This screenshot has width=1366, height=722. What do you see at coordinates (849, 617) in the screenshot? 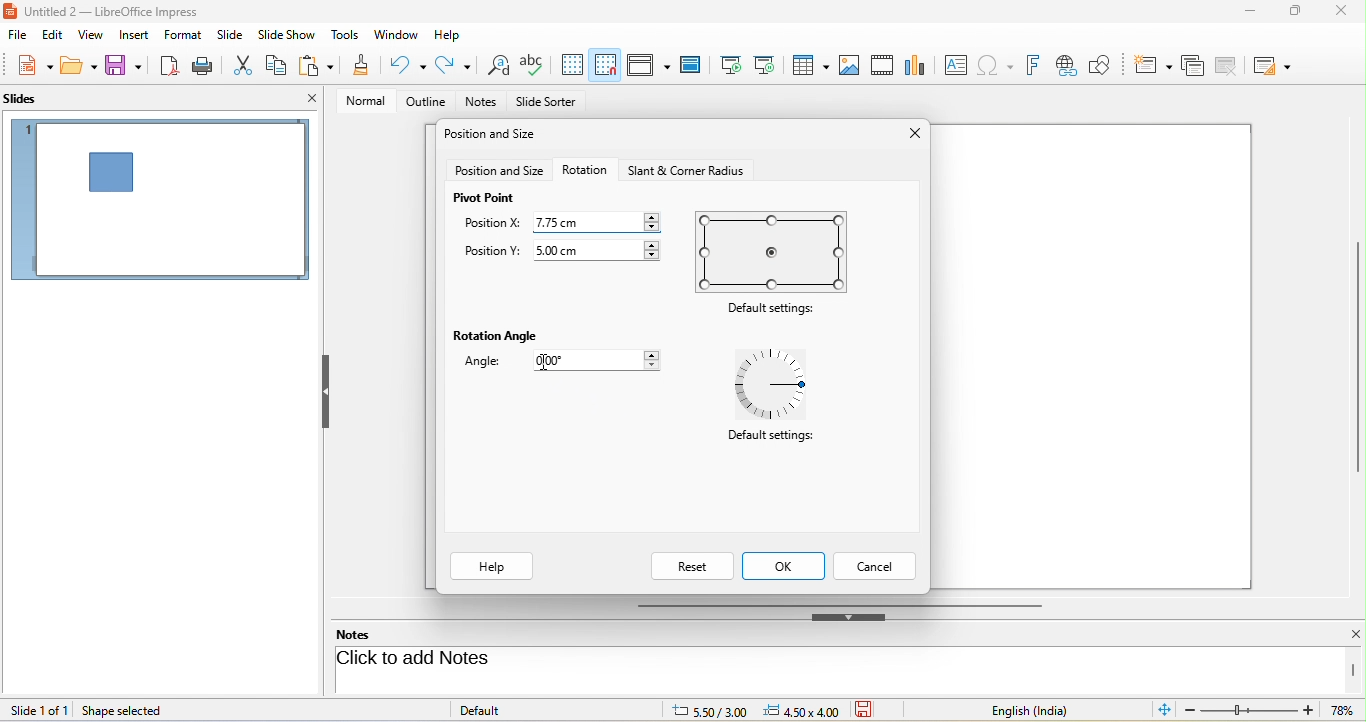
I see `hide` at bounding box center [849, 617].